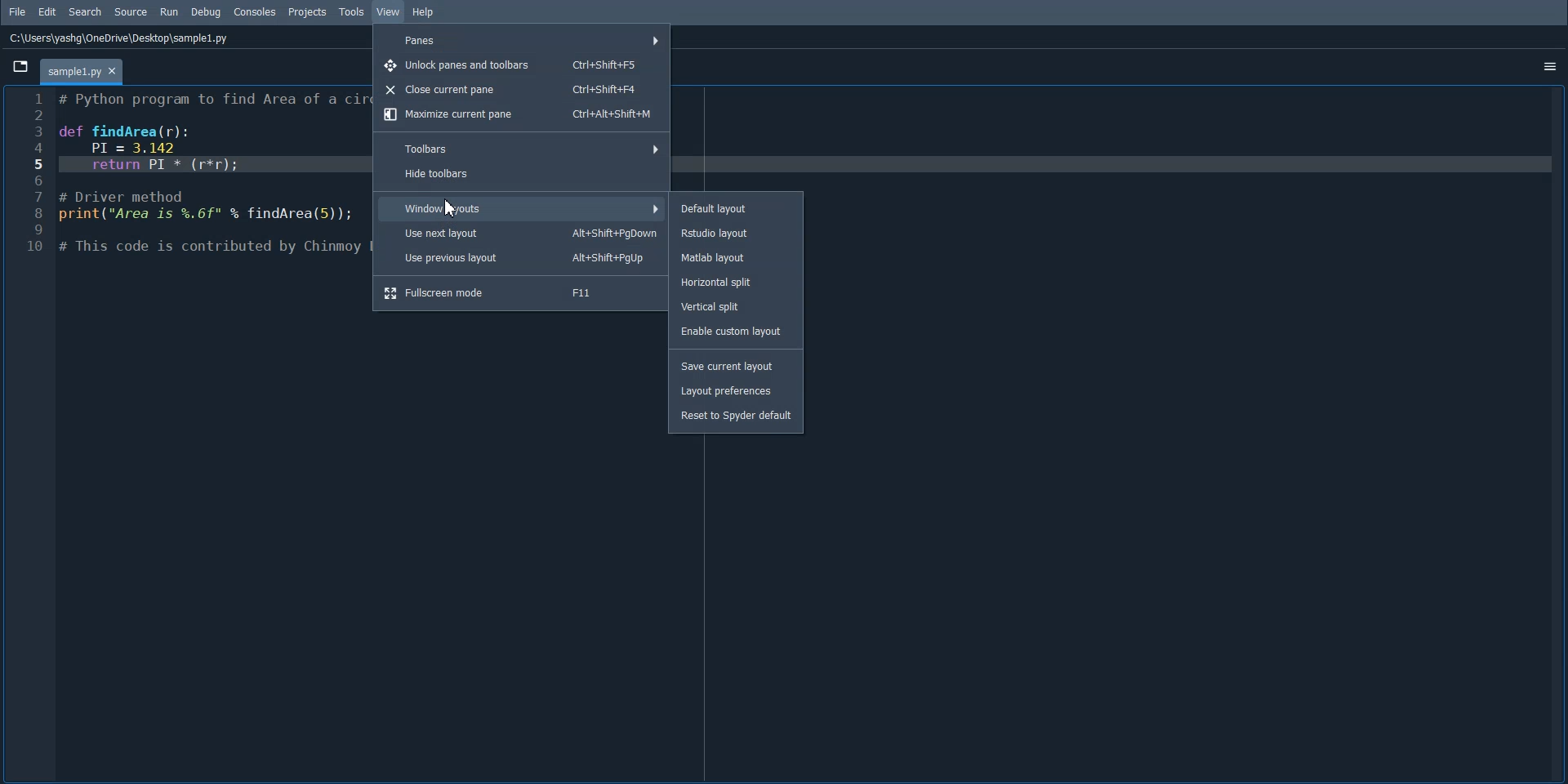  Describe the element at coordinates (86, 12) in the screenshot. I see `Search` at that location.